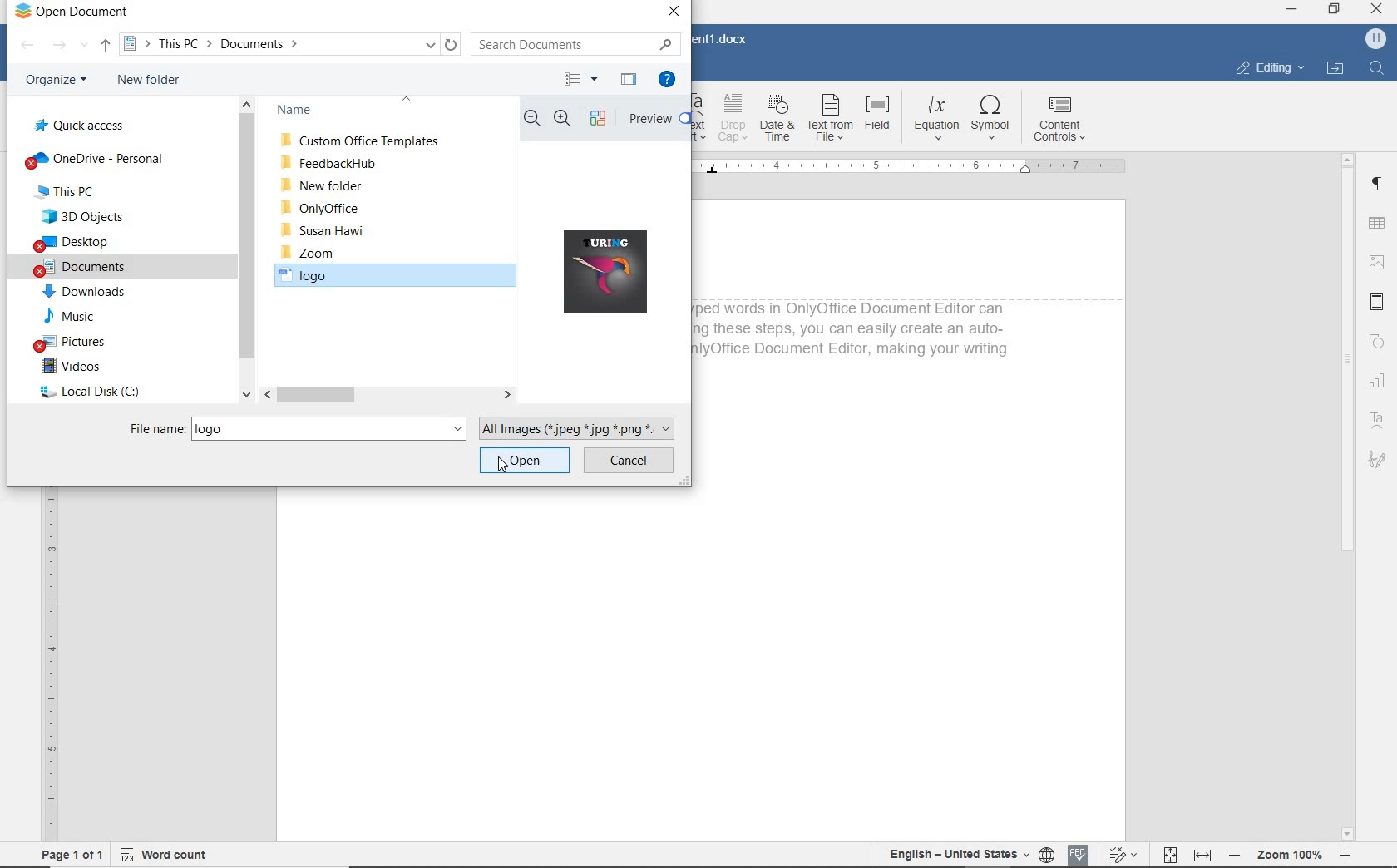 The height and width of the screenshot is (868, 1397). Describe the element at coordinates (877, 121) in the screenshot. I see `FIELD` at that location.